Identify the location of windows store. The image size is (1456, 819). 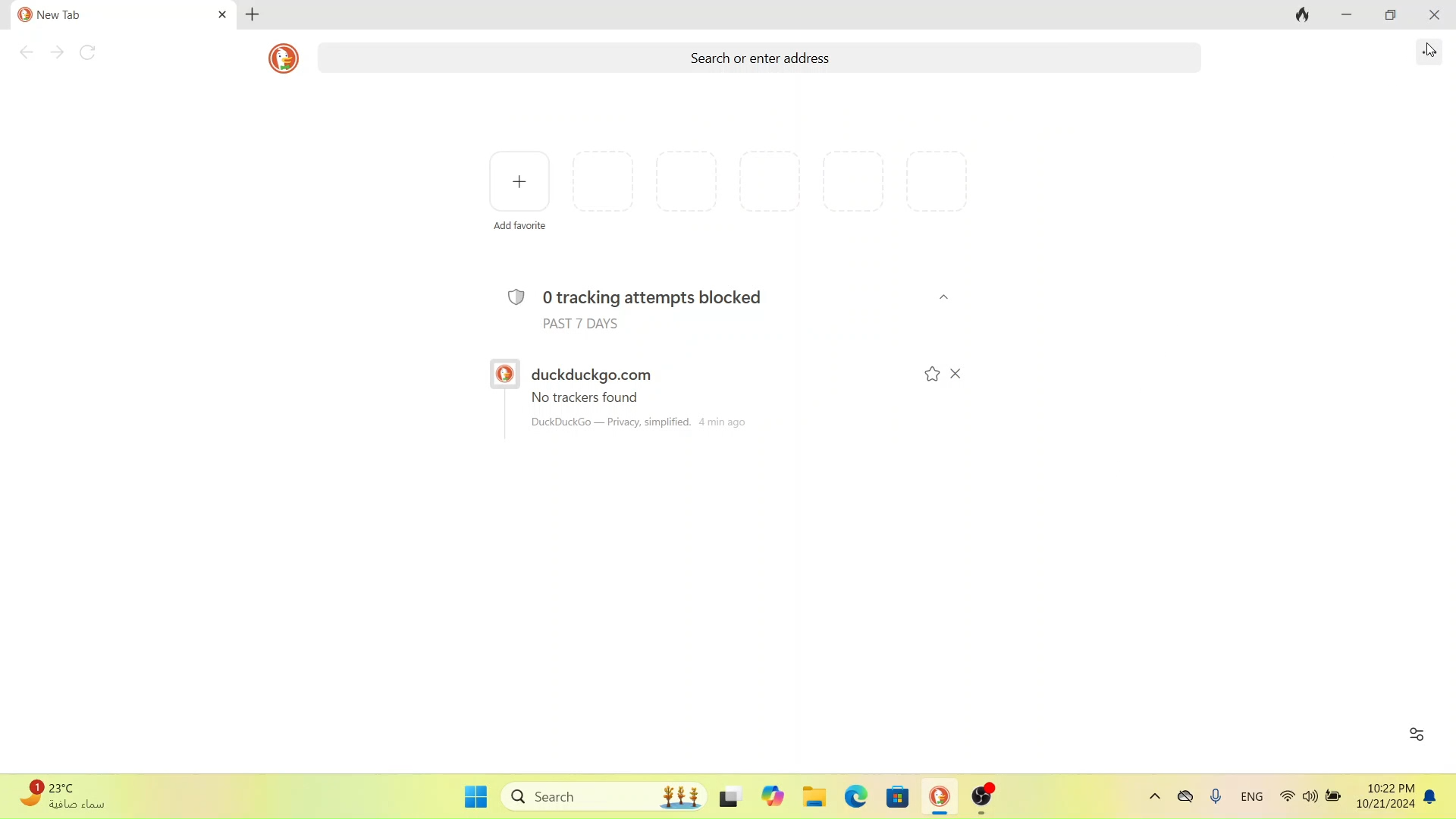
(897, 800).